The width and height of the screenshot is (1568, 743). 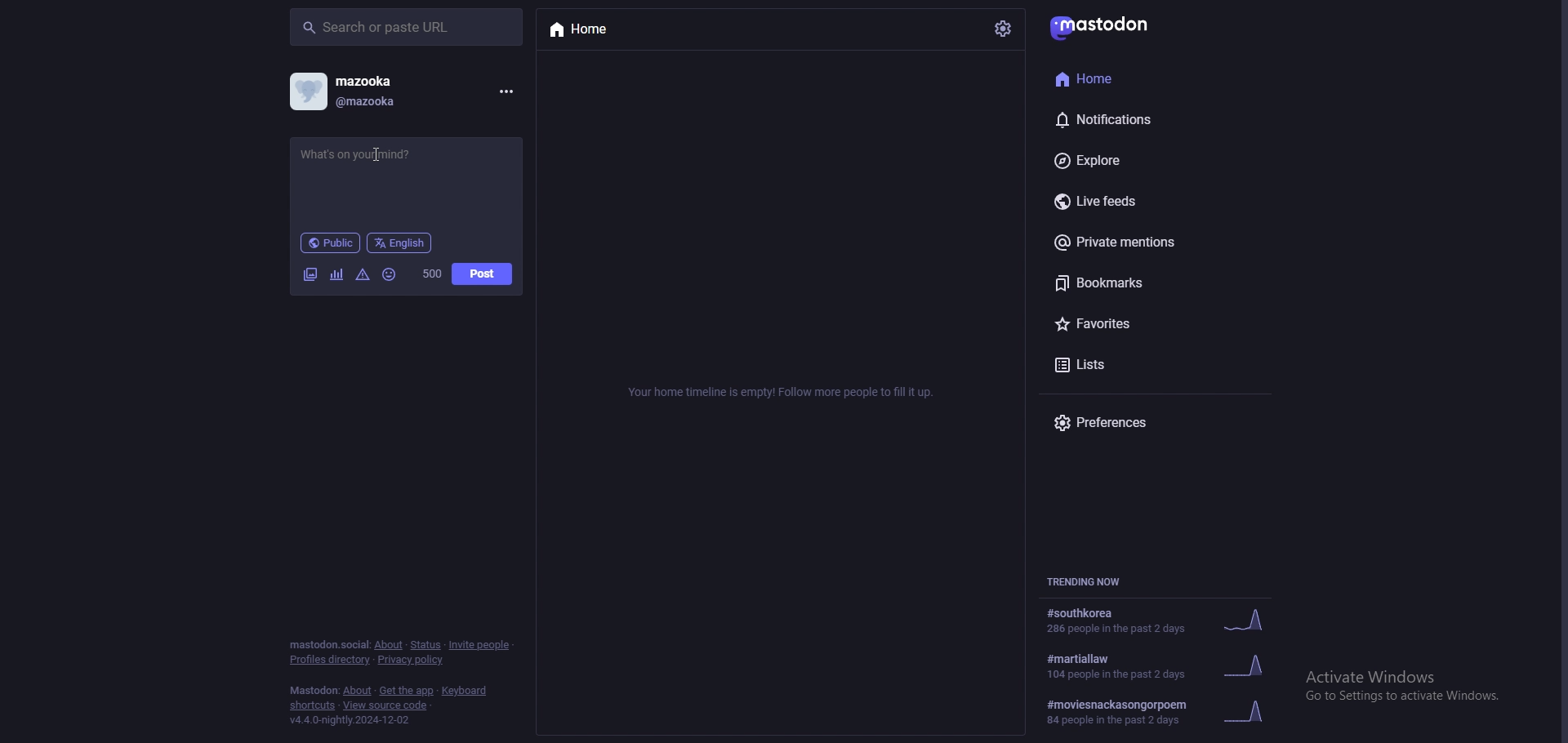 What do you see at coordinates (1160, 712) in the screenshot?
I see `trending` at bounding box center [1160, 712].